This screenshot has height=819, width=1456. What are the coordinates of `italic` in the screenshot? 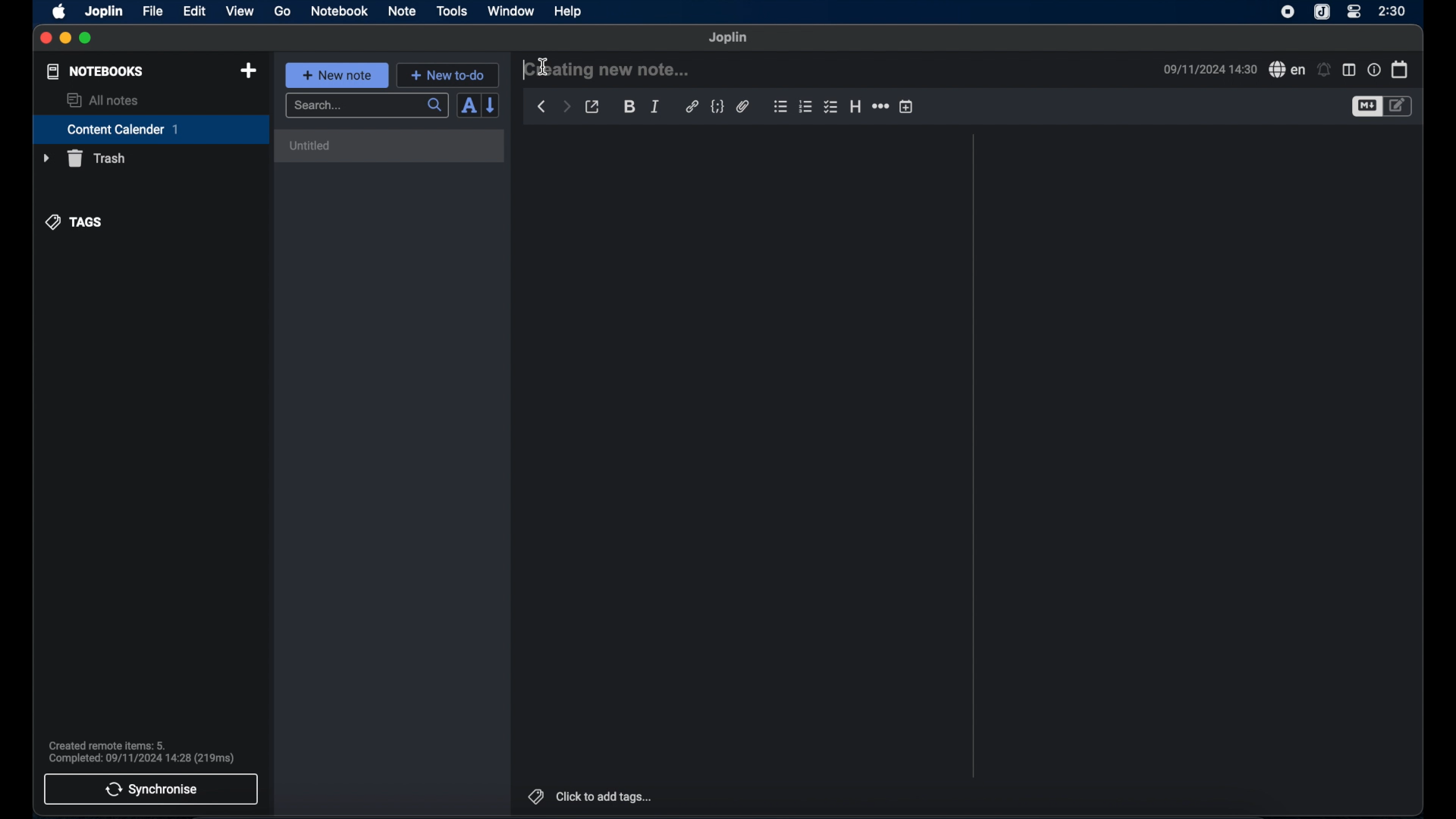 It's located at (656, 107).